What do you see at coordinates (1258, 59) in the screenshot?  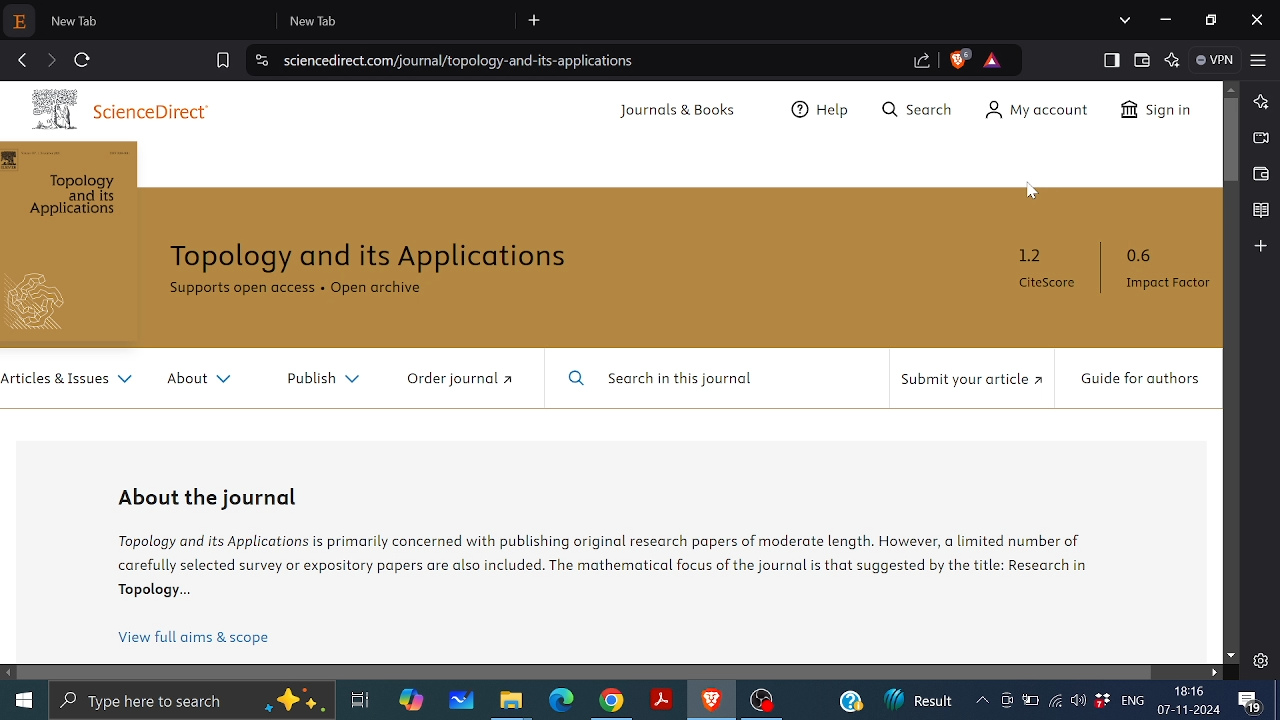 I see `Customize and control btave` at bounding box center [1258, 59].